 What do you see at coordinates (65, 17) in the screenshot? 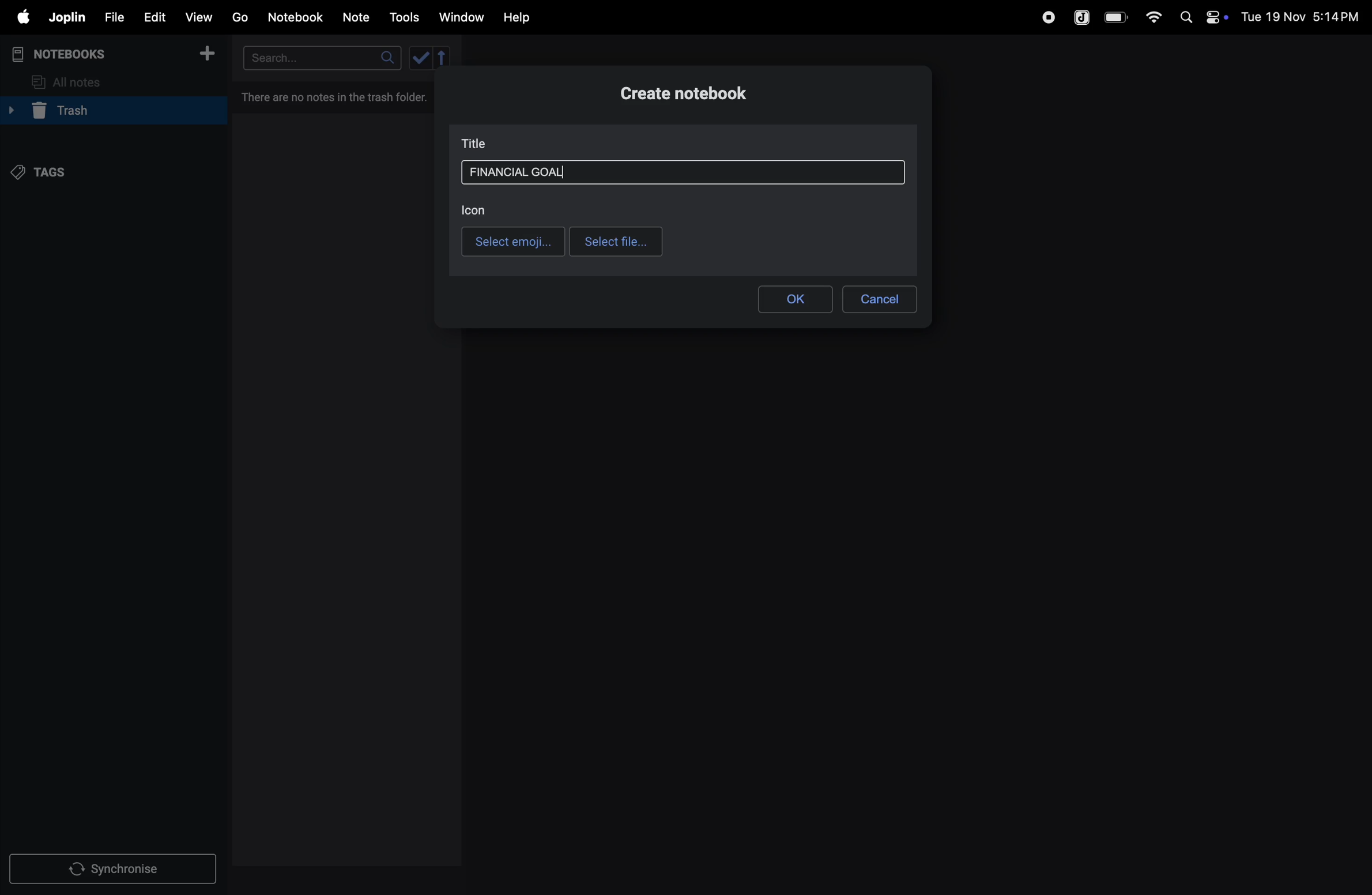
I see `joplin menu` at bounding box center [65, 17].